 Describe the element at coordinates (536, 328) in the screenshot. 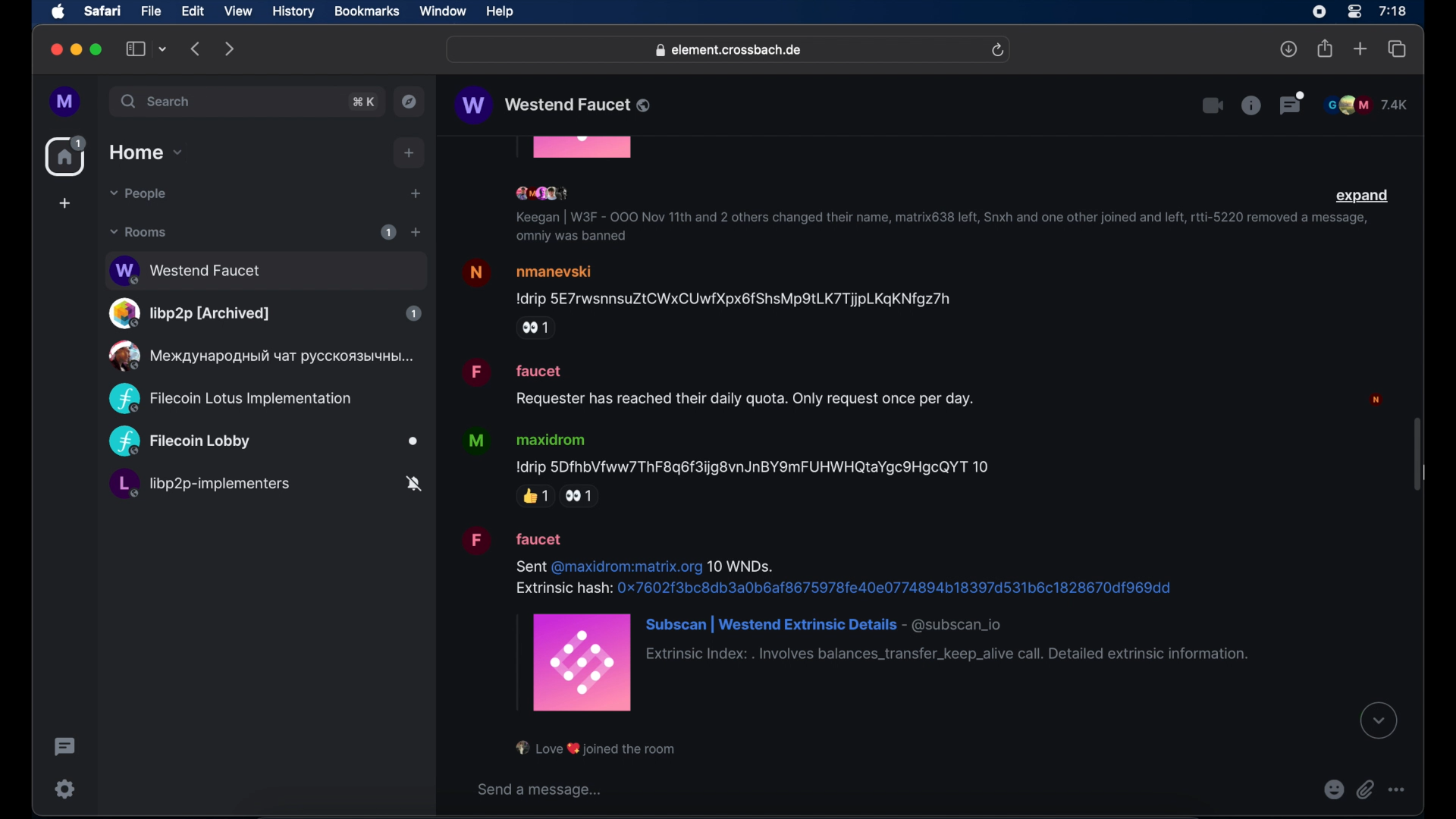

I see `side eye reaction` at that location.